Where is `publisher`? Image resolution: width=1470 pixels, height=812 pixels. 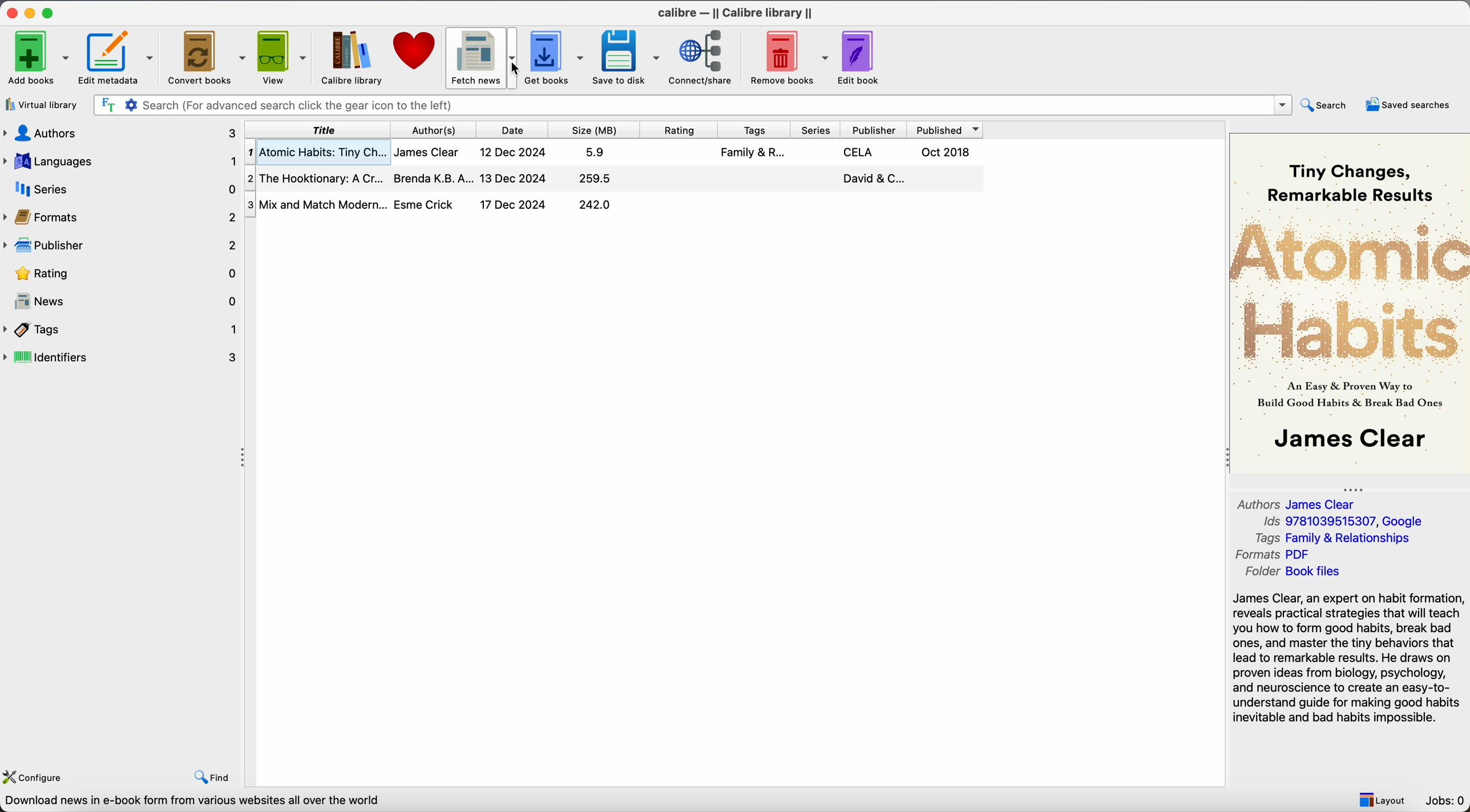
publisher is located at coordinates (879, 130).